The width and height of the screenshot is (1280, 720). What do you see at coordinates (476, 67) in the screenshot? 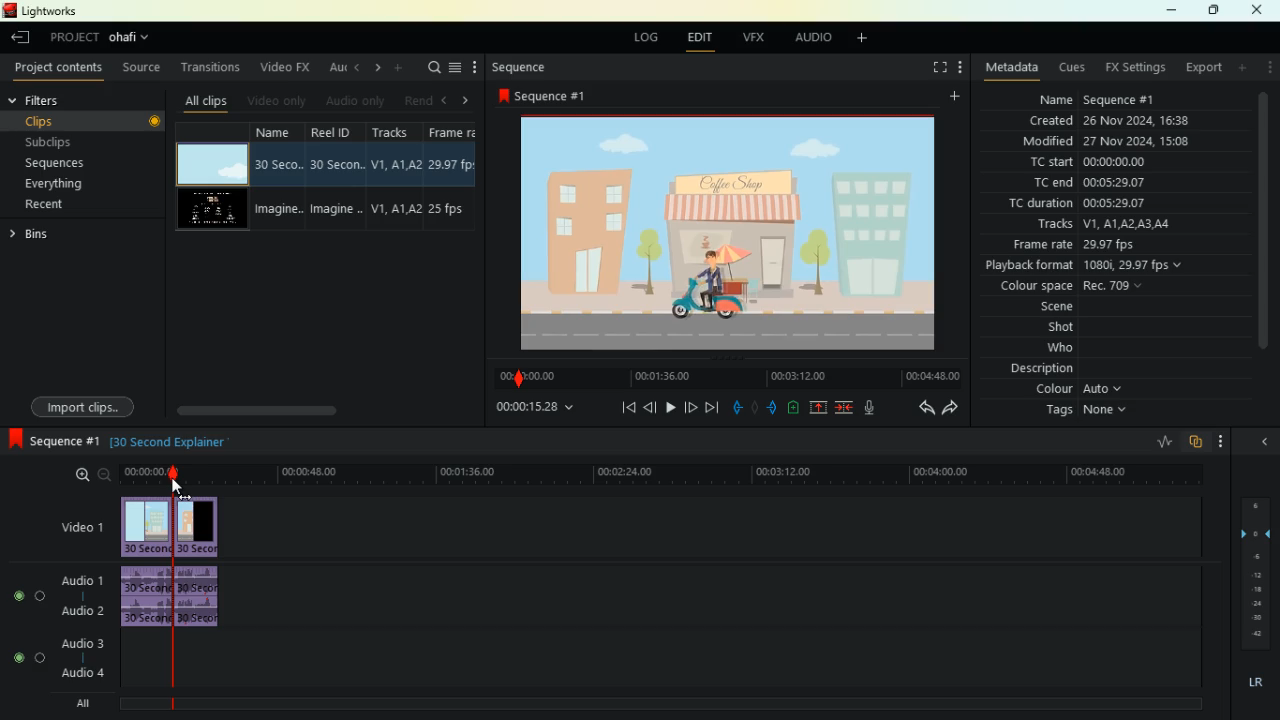
I see `more` at bounding box center [476, 67].